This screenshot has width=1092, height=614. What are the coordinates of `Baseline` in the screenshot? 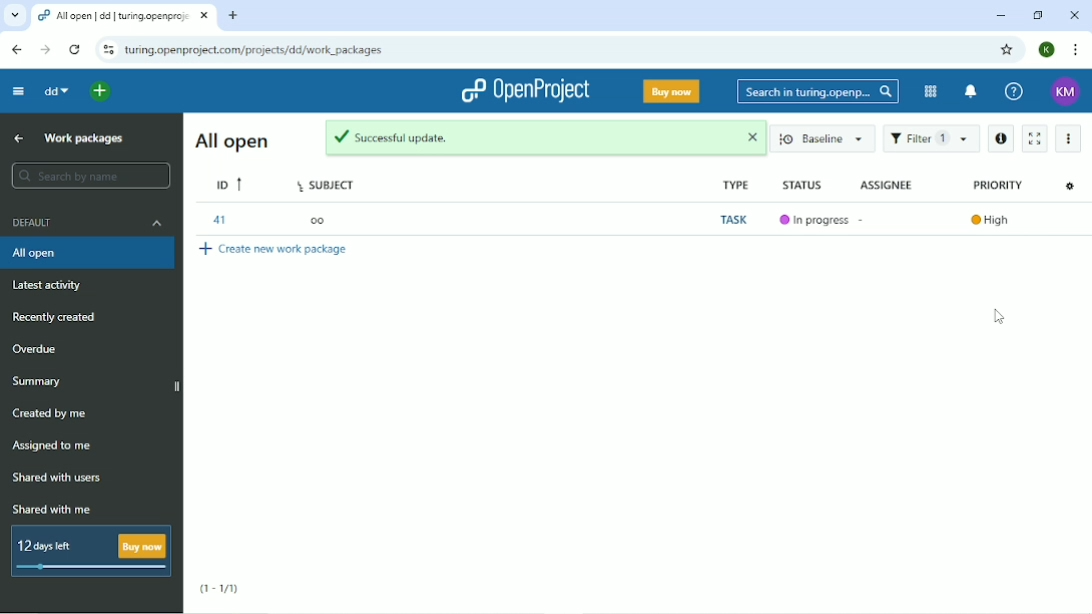 It's located at (824, 139).